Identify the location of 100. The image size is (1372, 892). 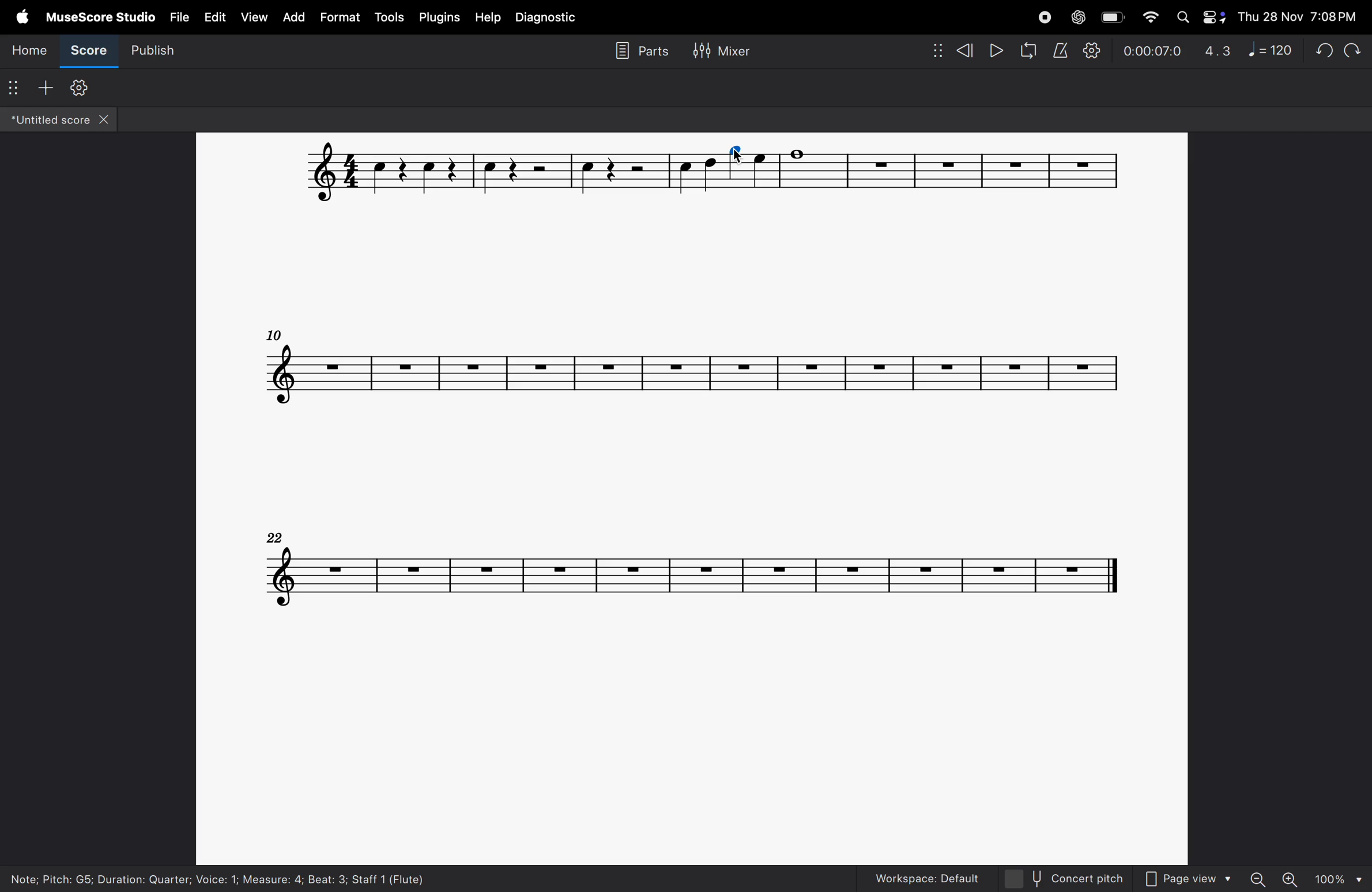
(1334, 879).